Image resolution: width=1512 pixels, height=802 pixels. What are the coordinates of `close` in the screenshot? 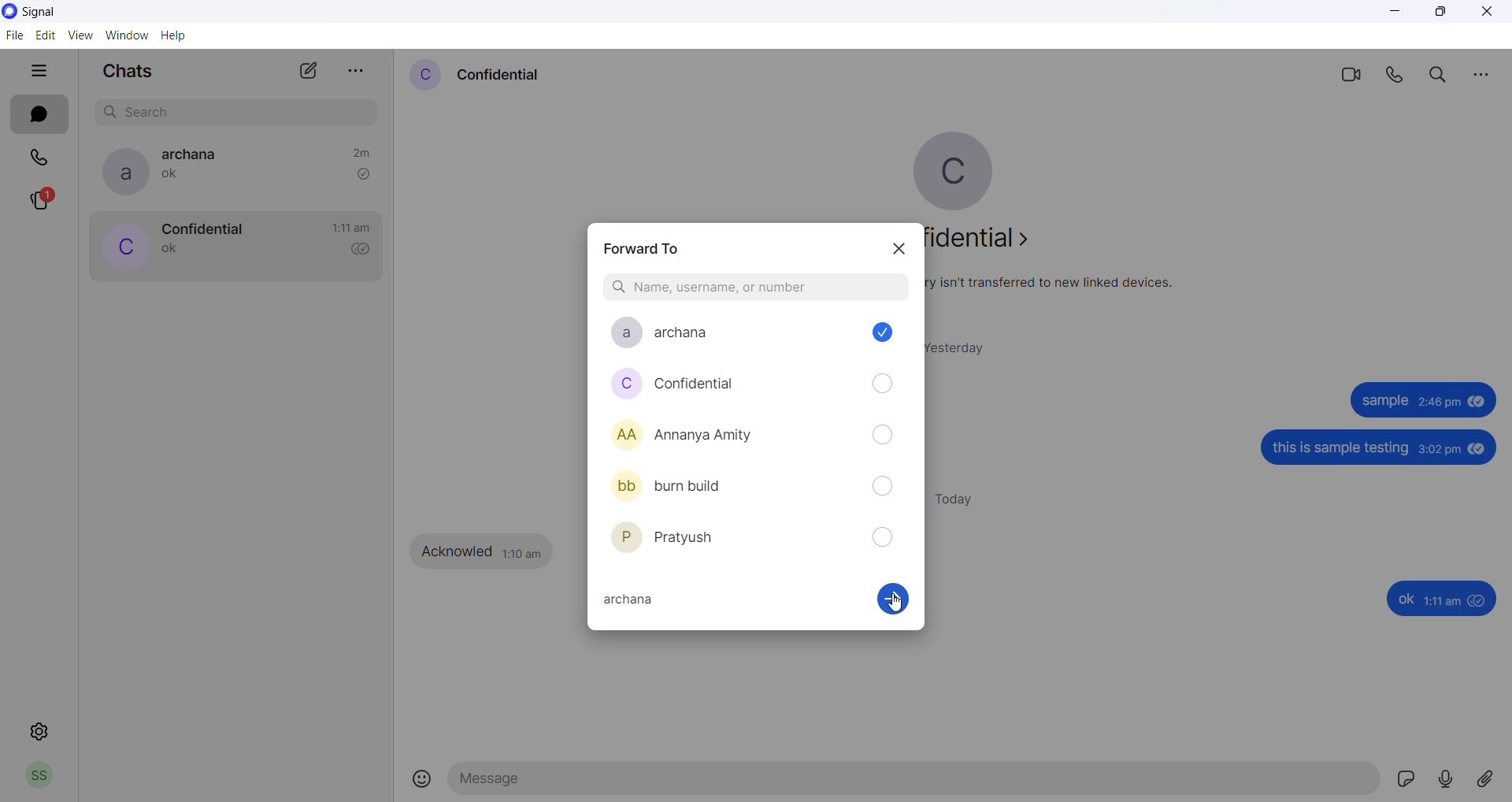 It's located at (1487, 13).